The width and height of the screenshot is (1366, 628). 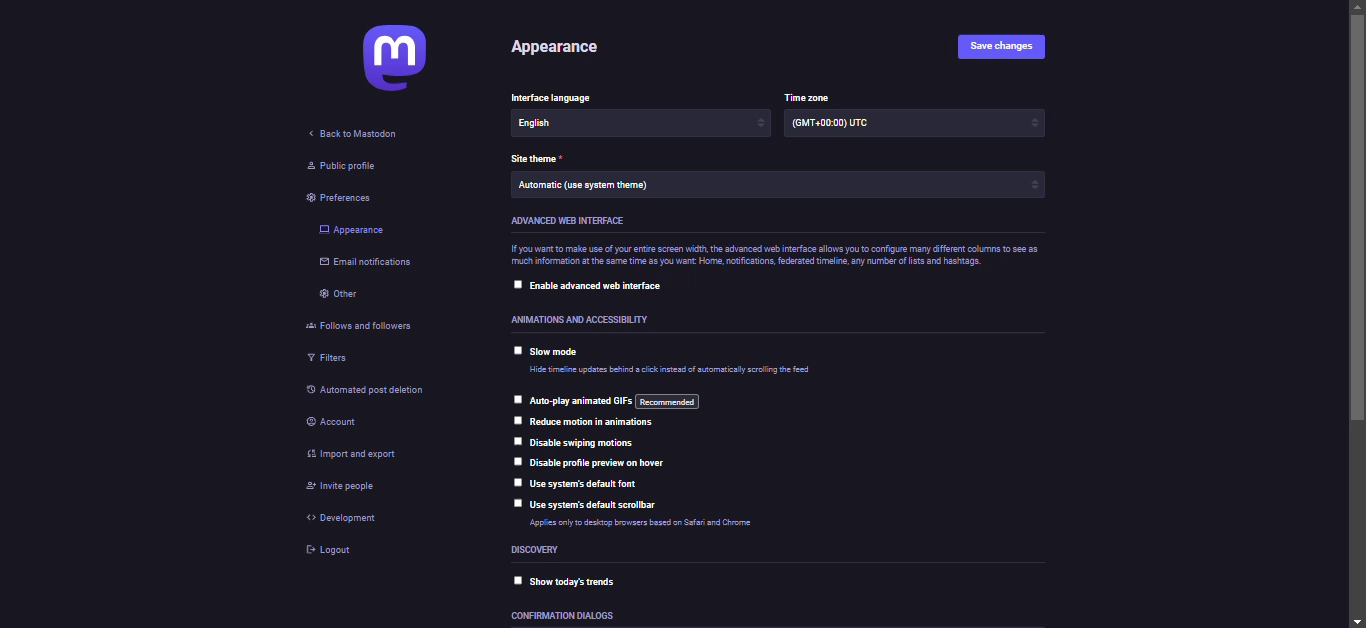 What do you see at coordinates (563, 98) in the screenshot?
I see `language` at bounding box center [563, 98].